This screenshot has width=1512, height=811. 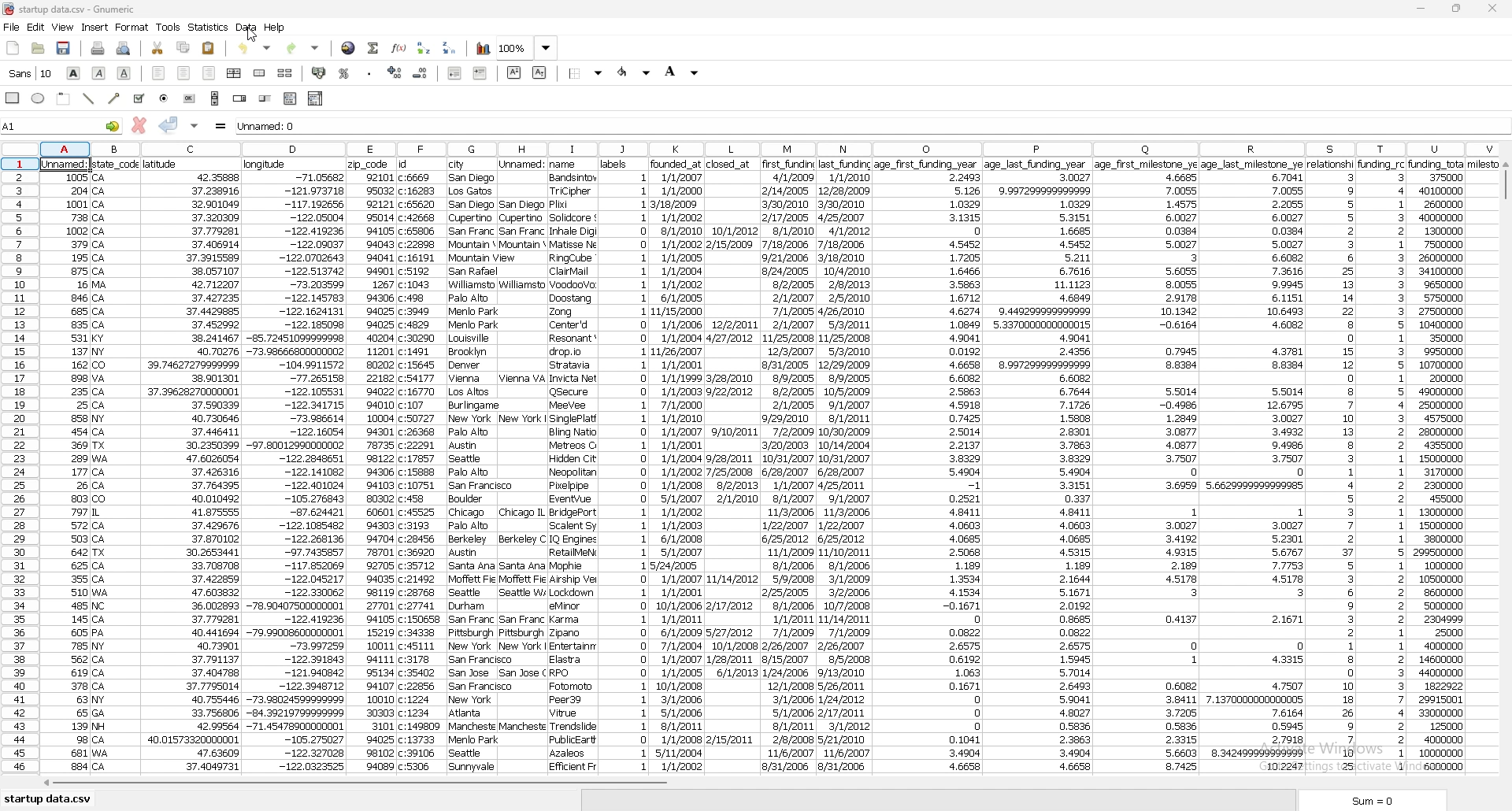 What do you see at coordinates (139, 98) in the screenshot?
I see `tickbox` at bounding box center [139, 98].